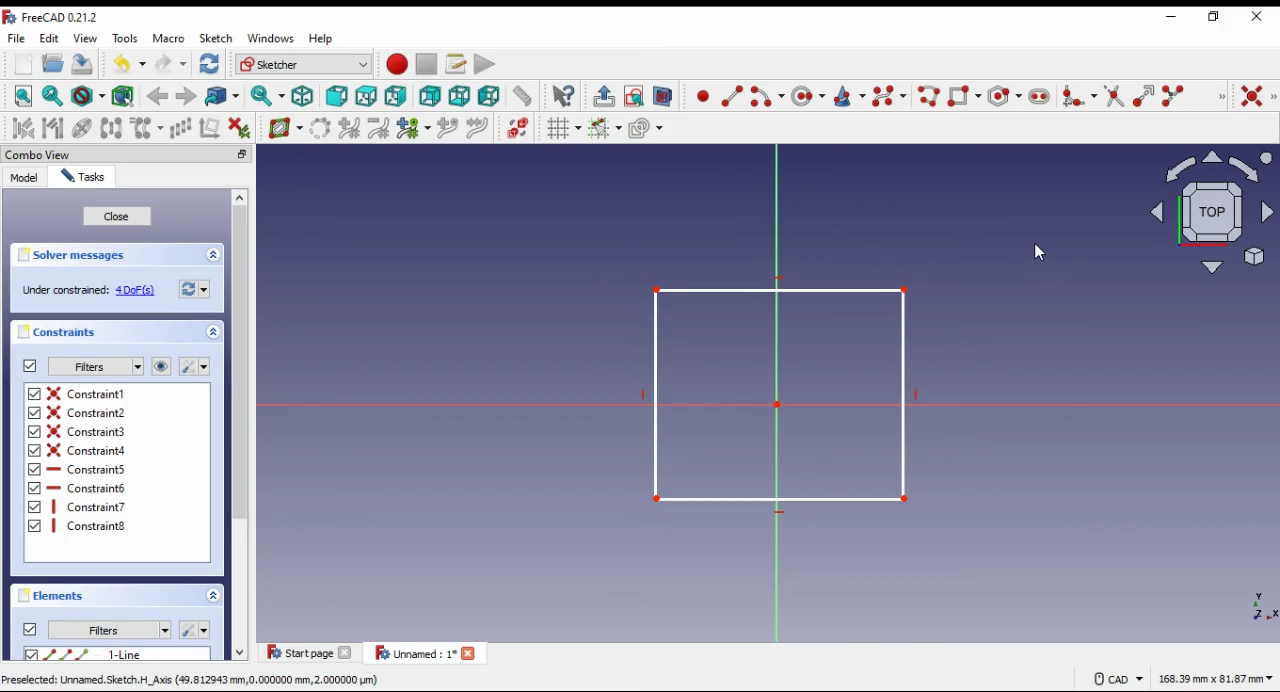 This screenshot has height=692, width=1280. I want to click on sketch, so click(217, 39).